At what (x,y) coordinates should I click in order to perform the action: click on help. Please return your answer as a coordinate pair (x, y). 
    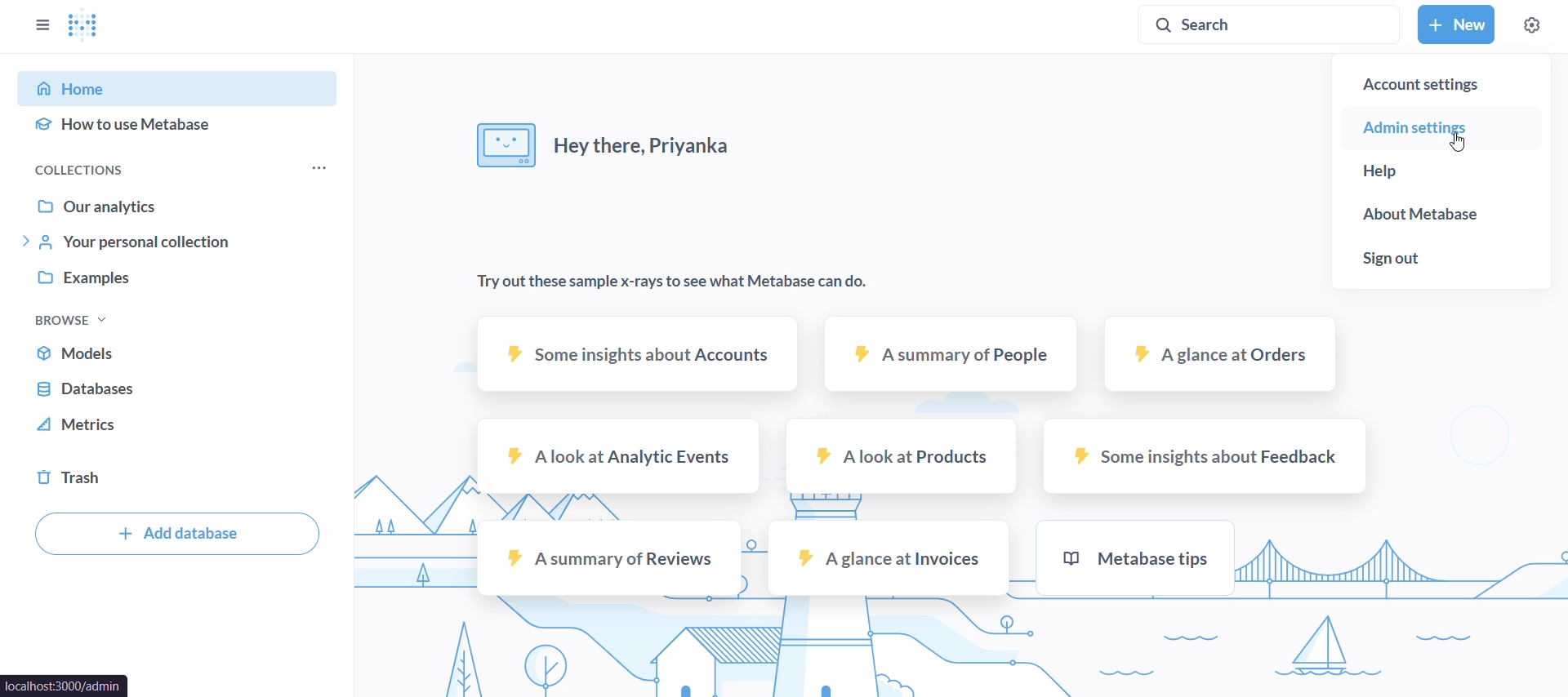
    Looking at the image, I should click on (1441, 171).